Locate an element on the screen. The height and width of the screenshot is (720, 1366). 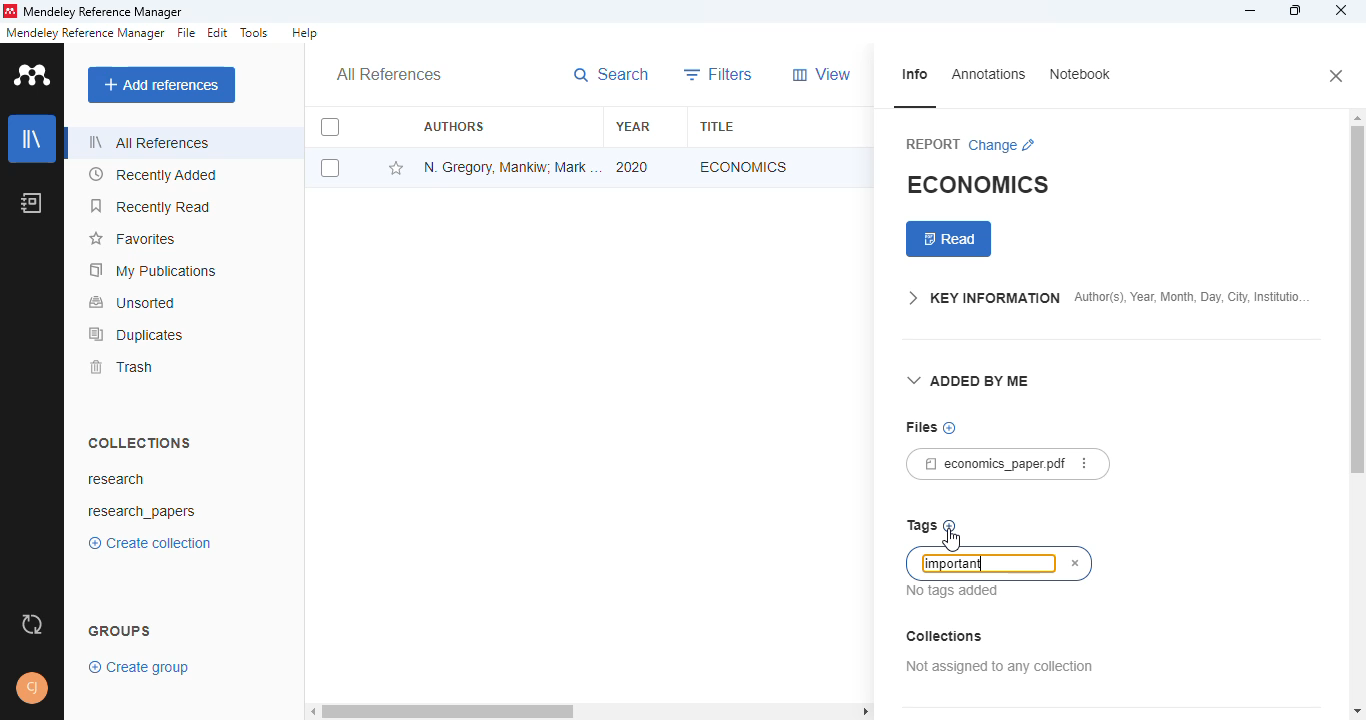
research_papers is located at coordinates (141, 512).